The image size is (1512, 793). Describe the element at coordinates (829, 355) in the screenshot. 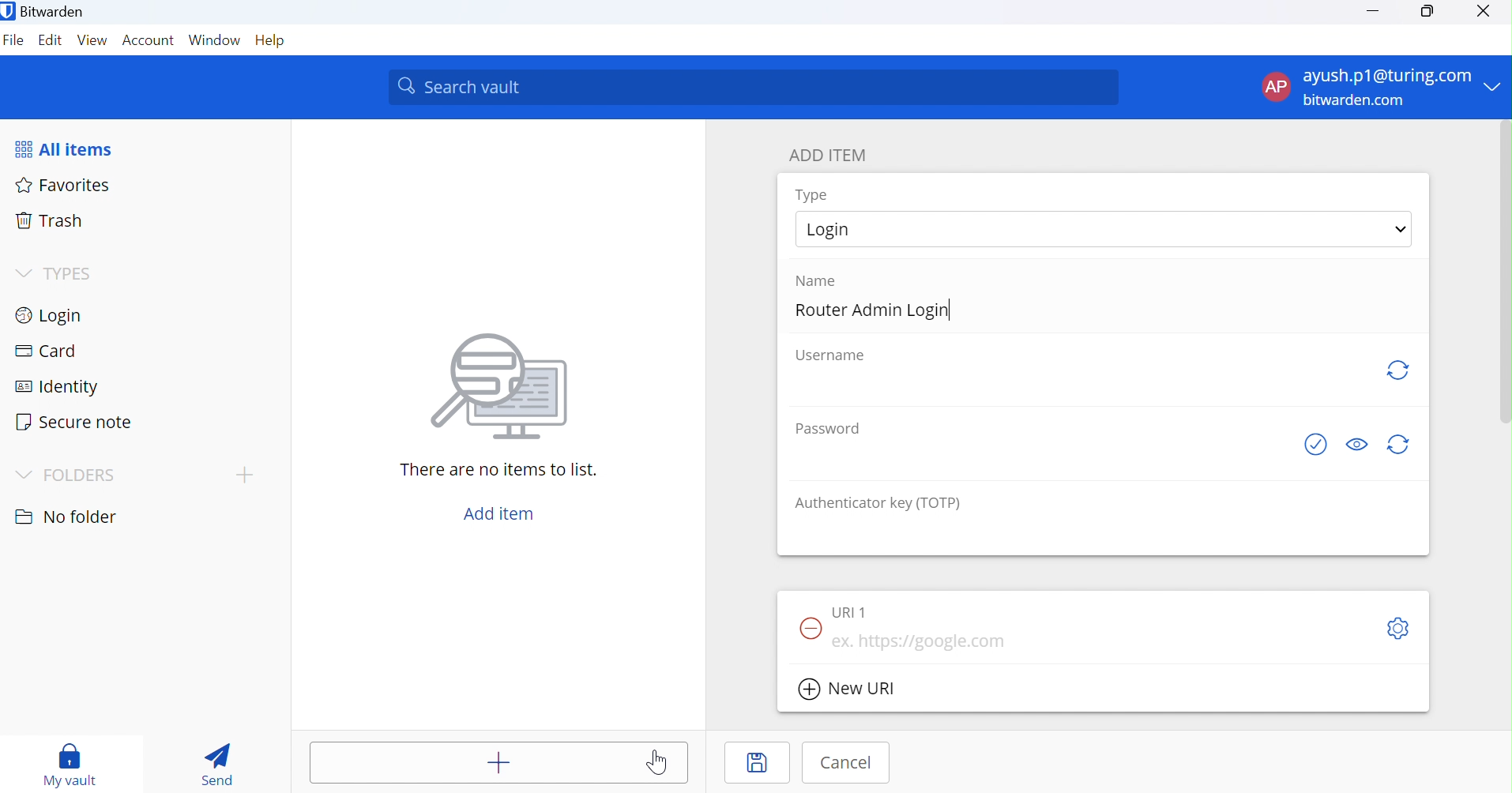

I see `Username` at that location.